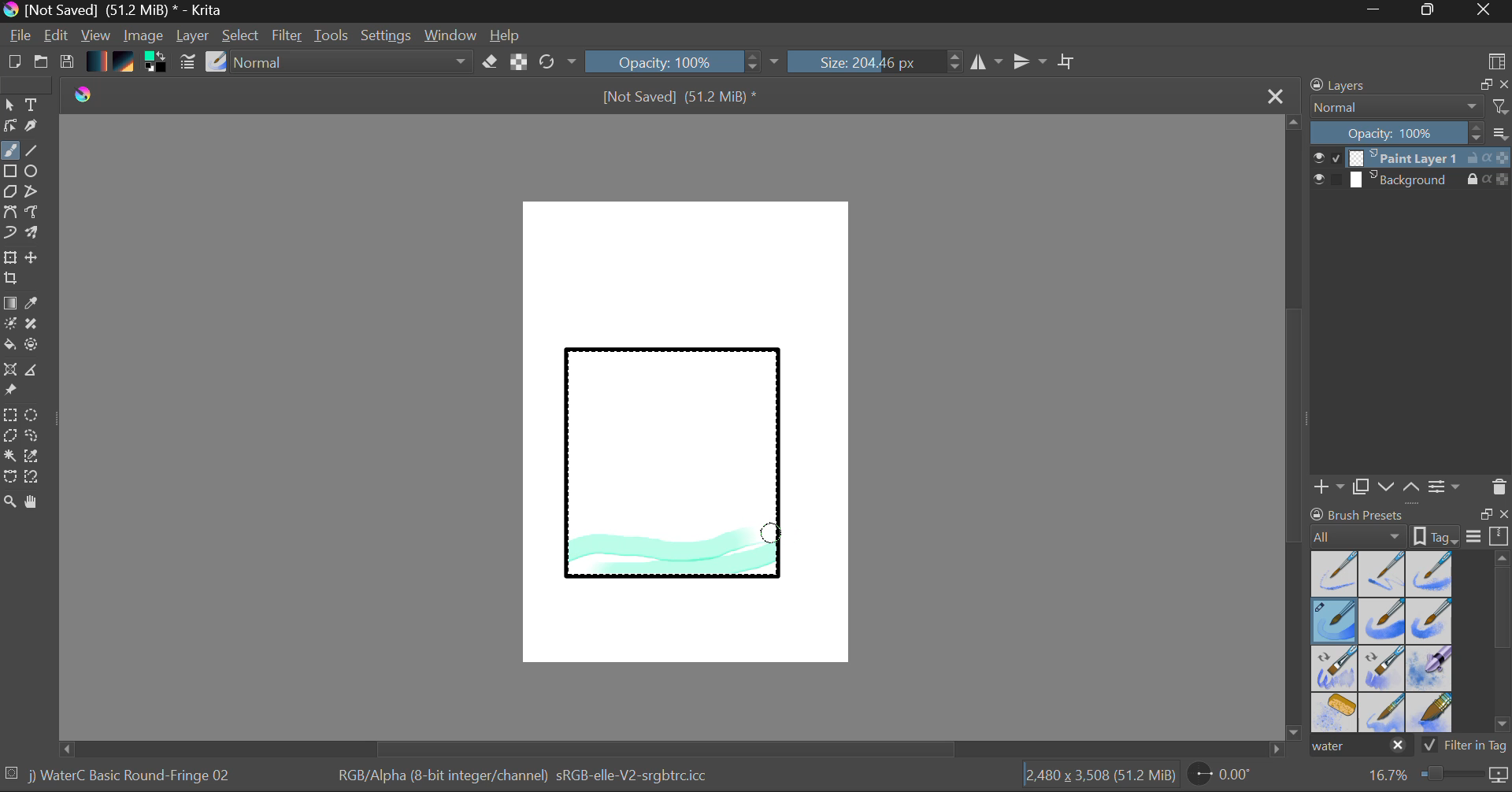  What do you see at coordinates (9, 436) in the screenshot?
I see `Polygon Selection Tool` at bounding box center [9, 436].